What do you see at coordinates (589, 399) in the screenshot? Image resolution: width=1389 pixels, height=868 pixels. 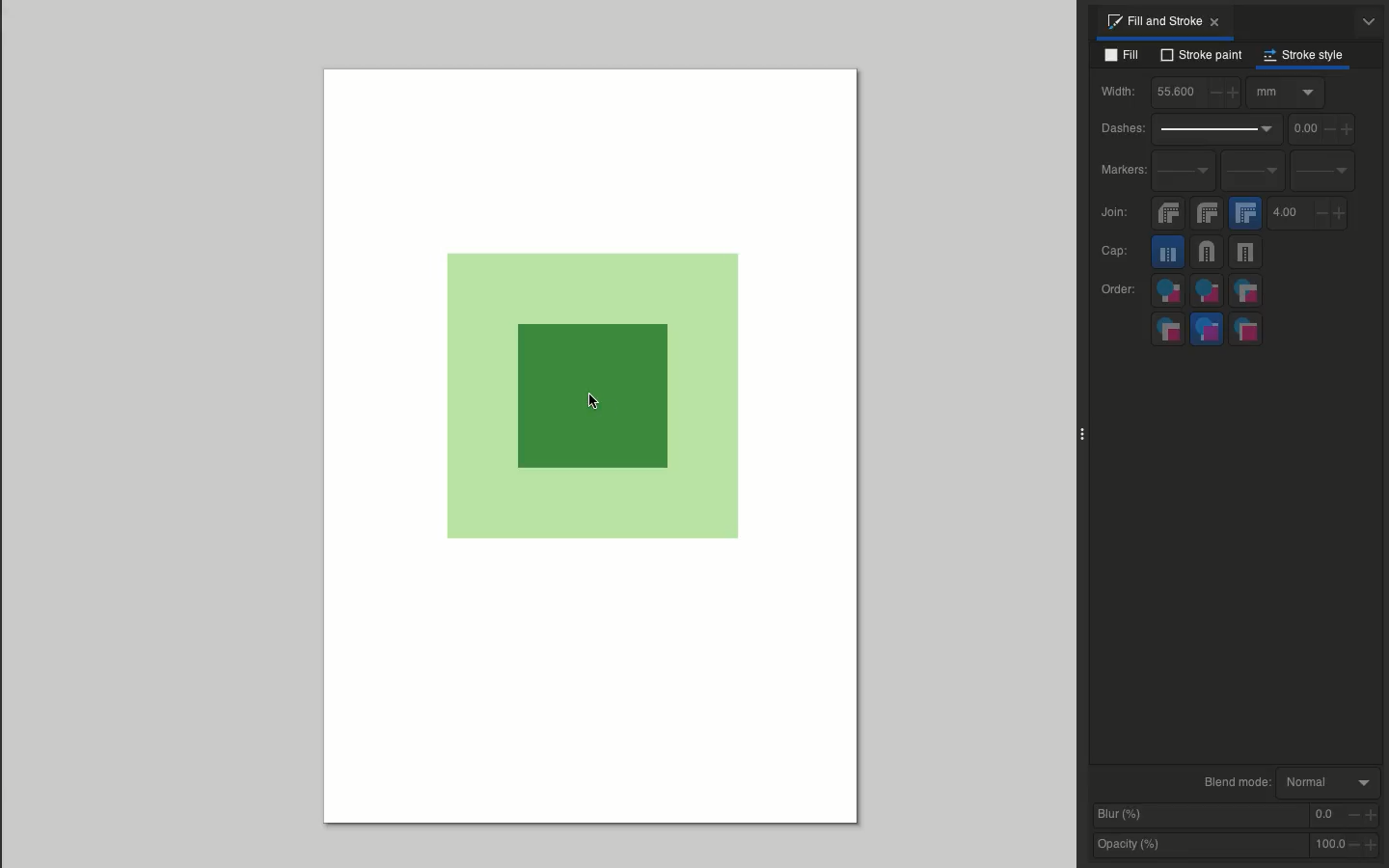 I see `Object` at bounding box center [589, 399].